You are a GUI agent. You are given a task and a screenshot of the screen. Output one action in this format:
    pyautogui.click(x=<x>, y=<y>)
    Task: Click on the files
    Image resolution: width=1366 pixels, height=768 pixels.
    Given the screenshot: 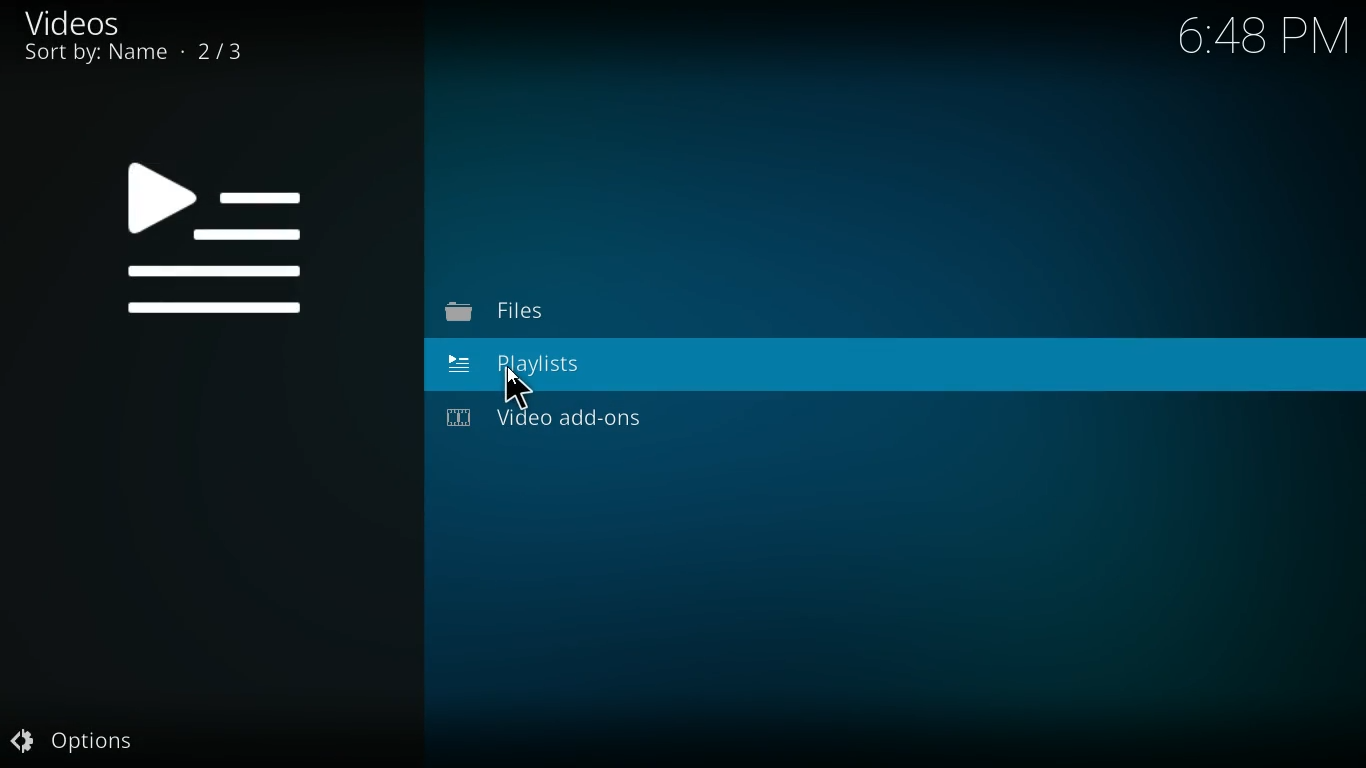 What is the action you would take?
    pyautogui.click(x=534, y=315)
    